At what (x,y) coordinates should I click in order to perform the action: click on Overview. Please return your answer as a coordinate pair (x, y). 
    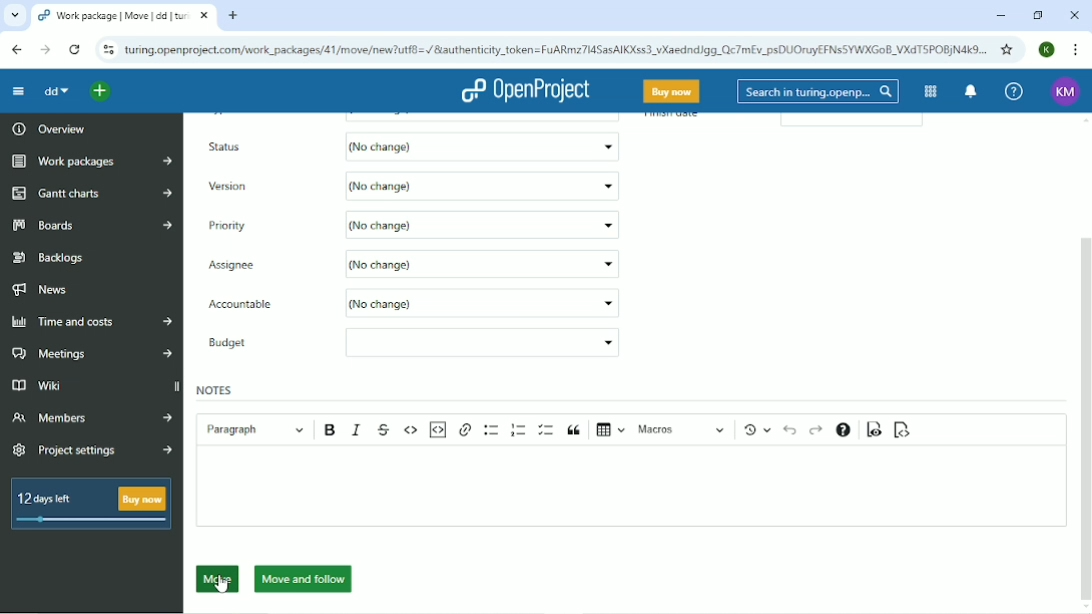
    Looking at the image, I should click on (47, 128).